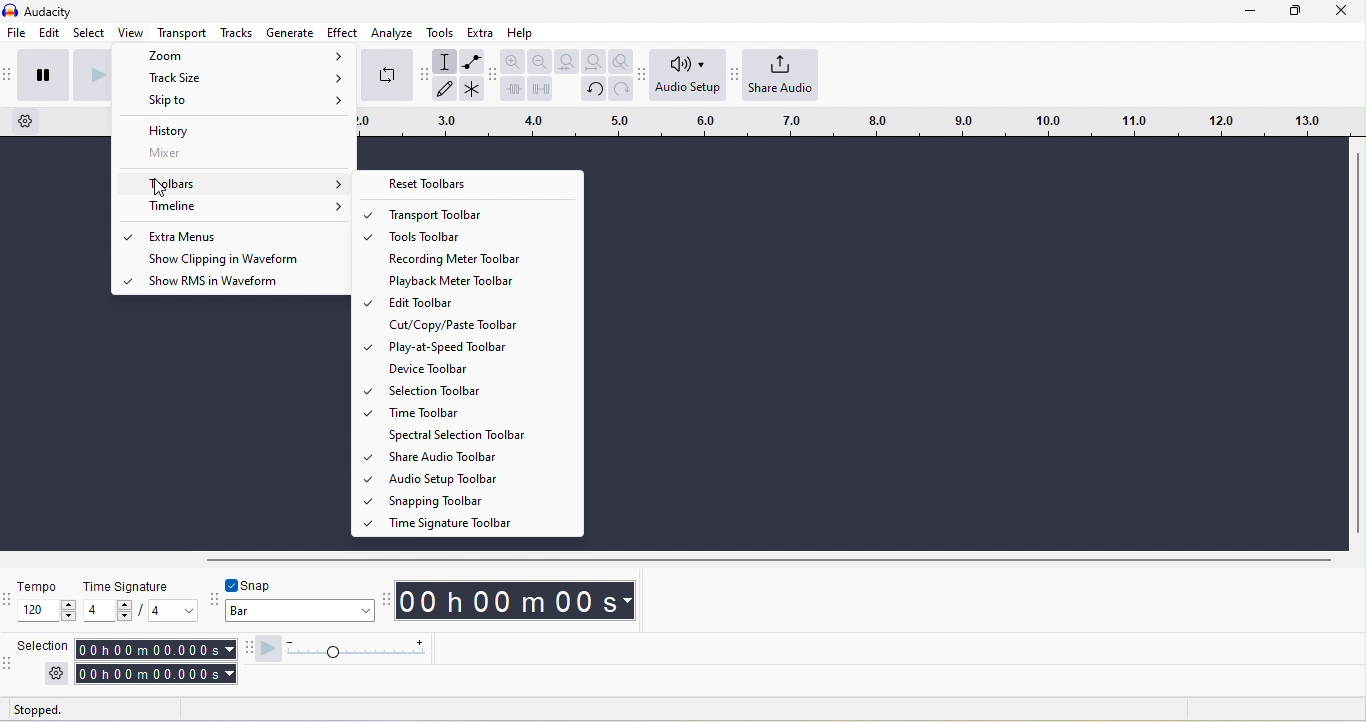 This screenshot has height=722, width=1366. I want to click on edit, so click(50, 33).